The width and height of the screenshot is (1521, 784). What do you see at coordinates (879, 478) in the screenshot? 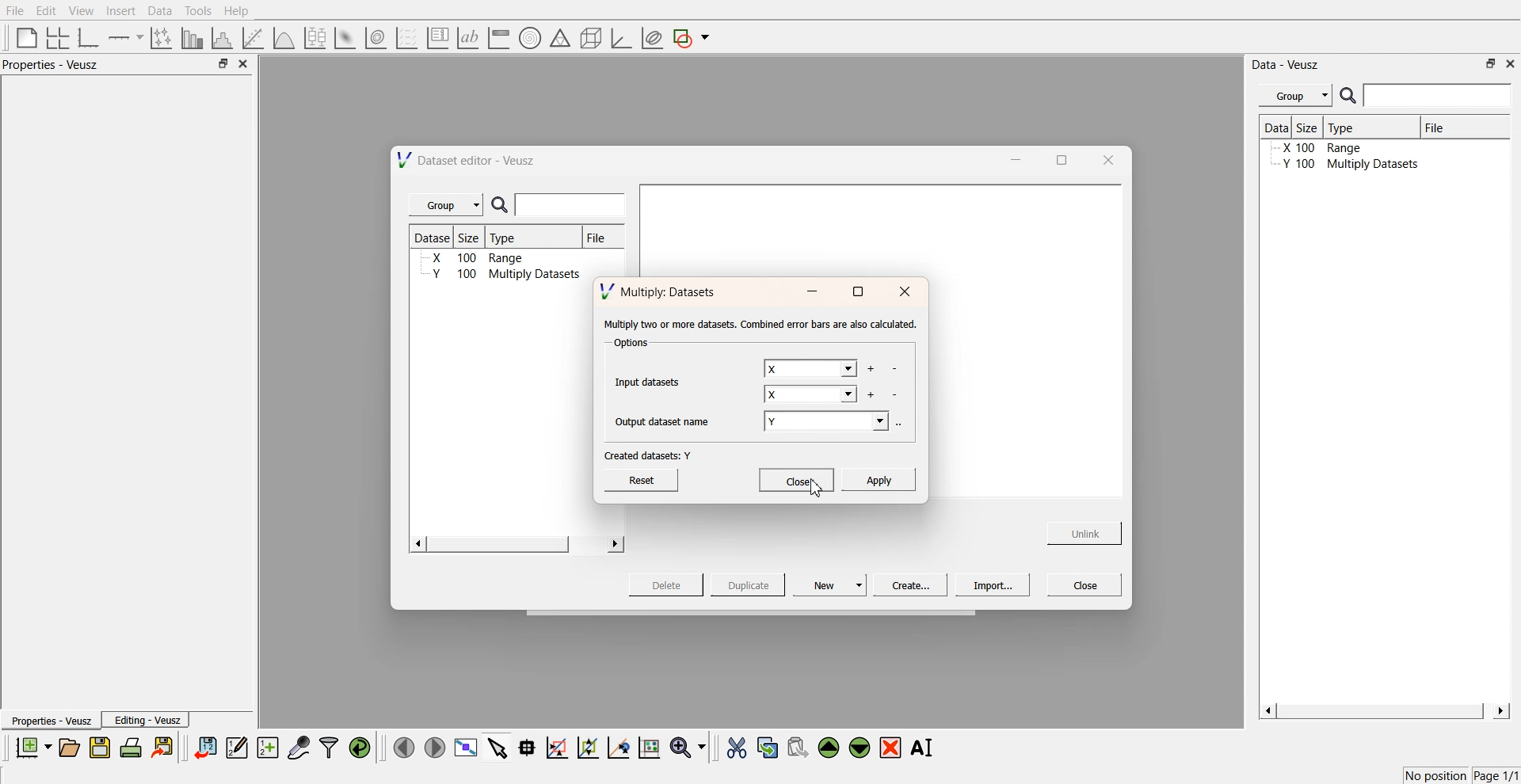
I see `Apply` at bounding box center [879, 478].